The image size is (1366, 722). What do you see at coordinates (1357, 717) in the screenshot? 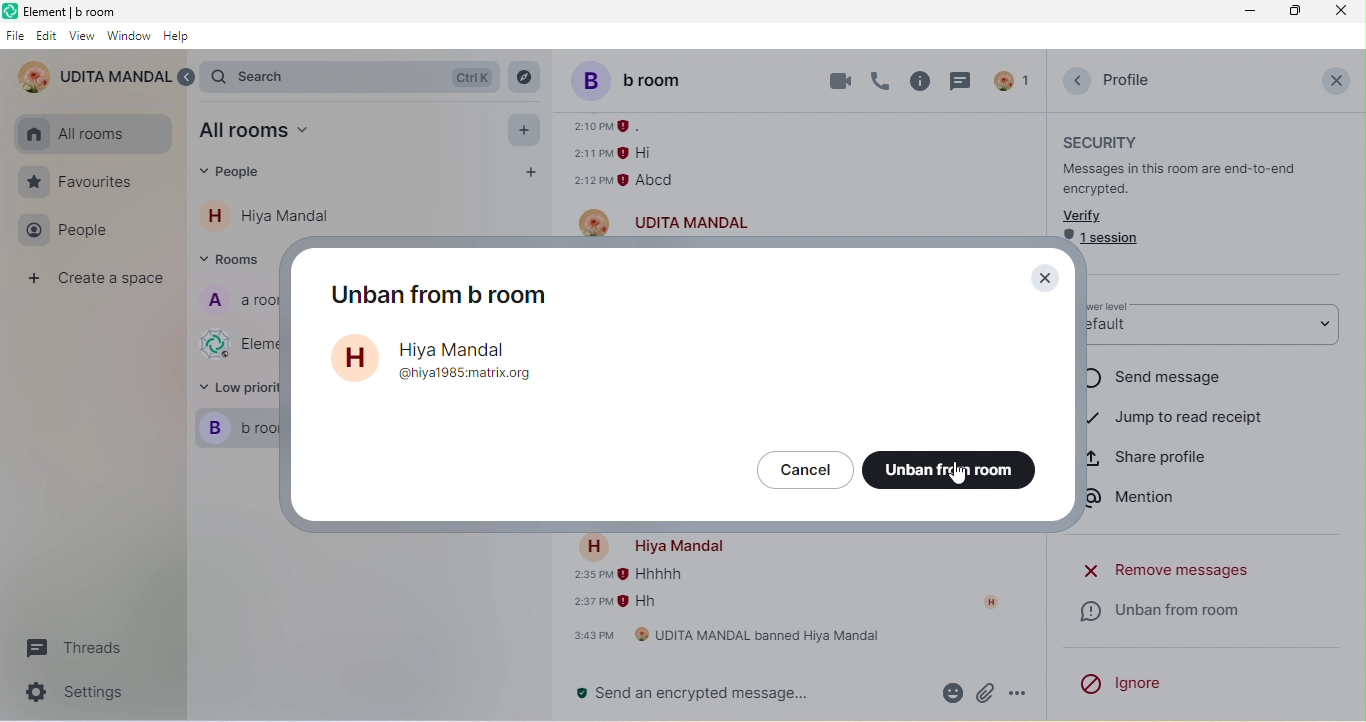
I see `scroll down` at bounding box center [1357, 717].